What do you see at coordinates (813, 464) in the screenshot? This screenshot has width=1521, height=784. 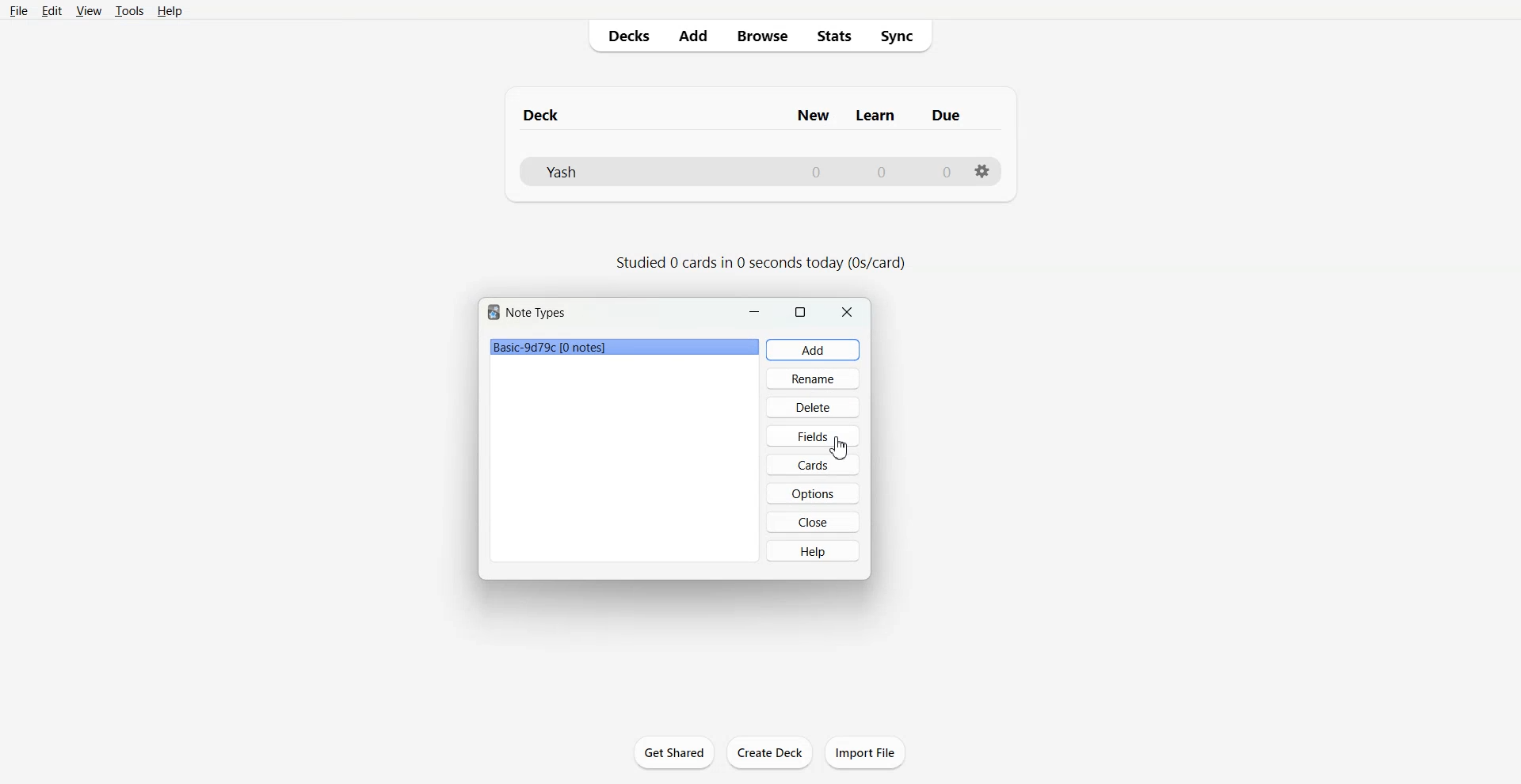 I see `Cards` at bounding box center [813, 464].